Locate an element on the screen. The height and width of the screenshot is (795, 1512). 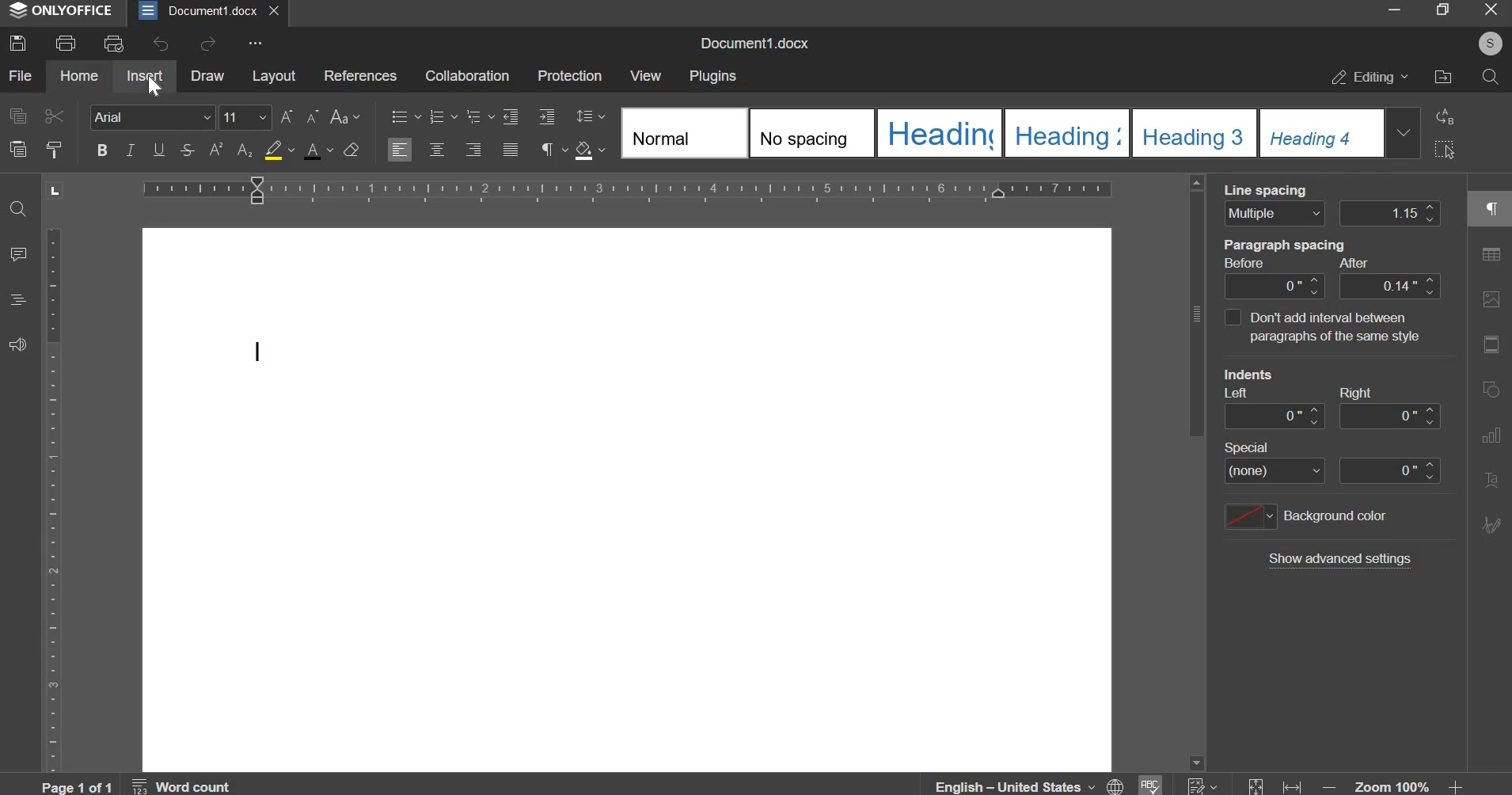
paragraph spacing after is located at coordinates (1275, 285).